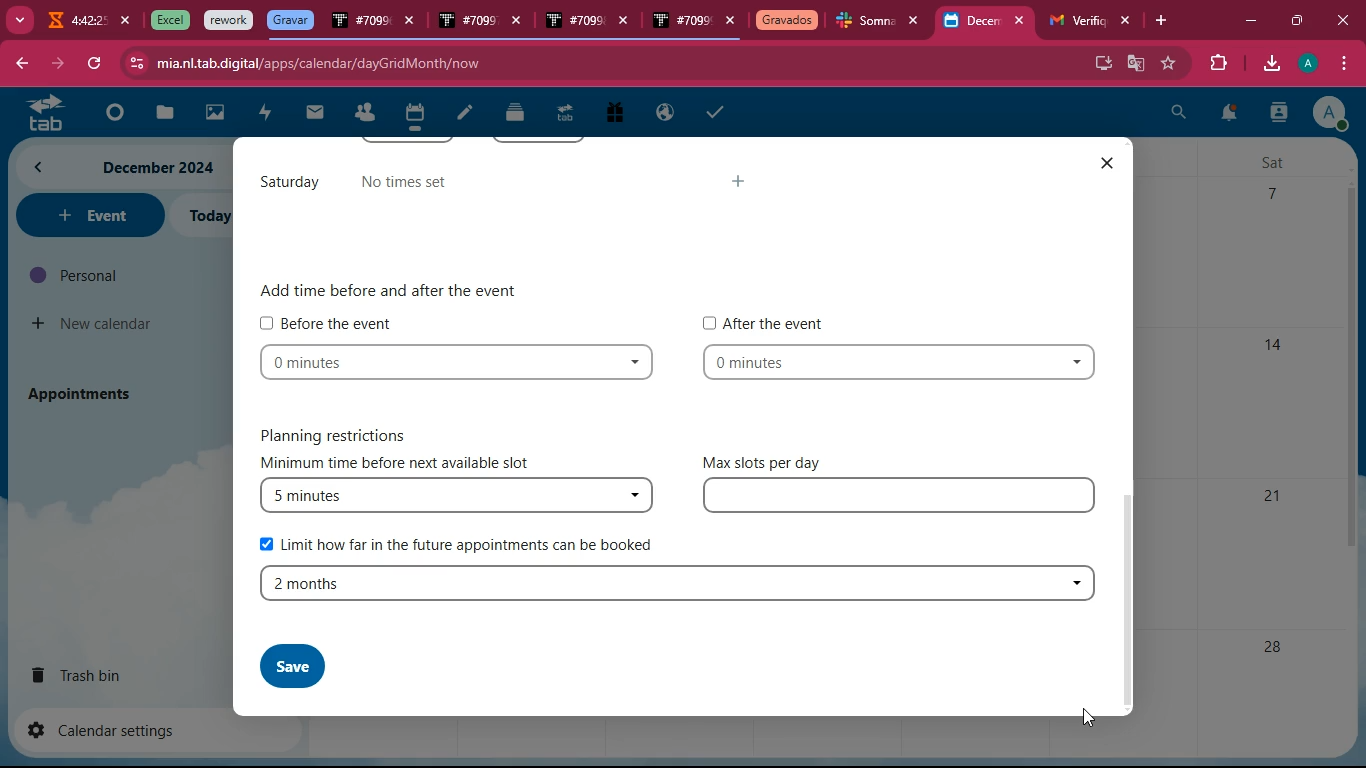  What do you see at coordinates (1136, 63) in the screenshot?
I see `google translator` at bounding box center [1136, 63].